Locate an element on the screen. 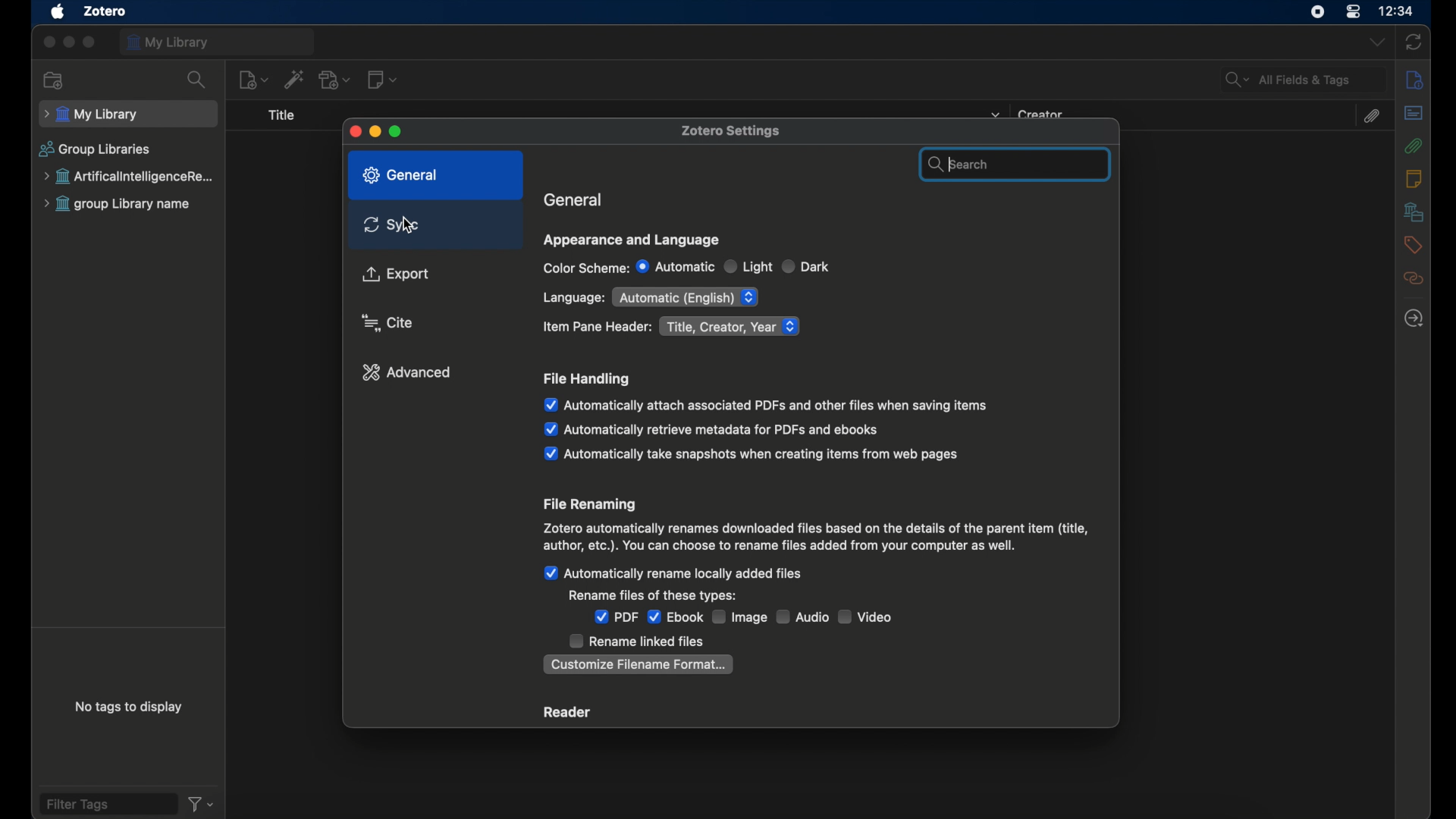 This screenshot has width=1456, height=819. search bar is located at coordinates (1015, 166).